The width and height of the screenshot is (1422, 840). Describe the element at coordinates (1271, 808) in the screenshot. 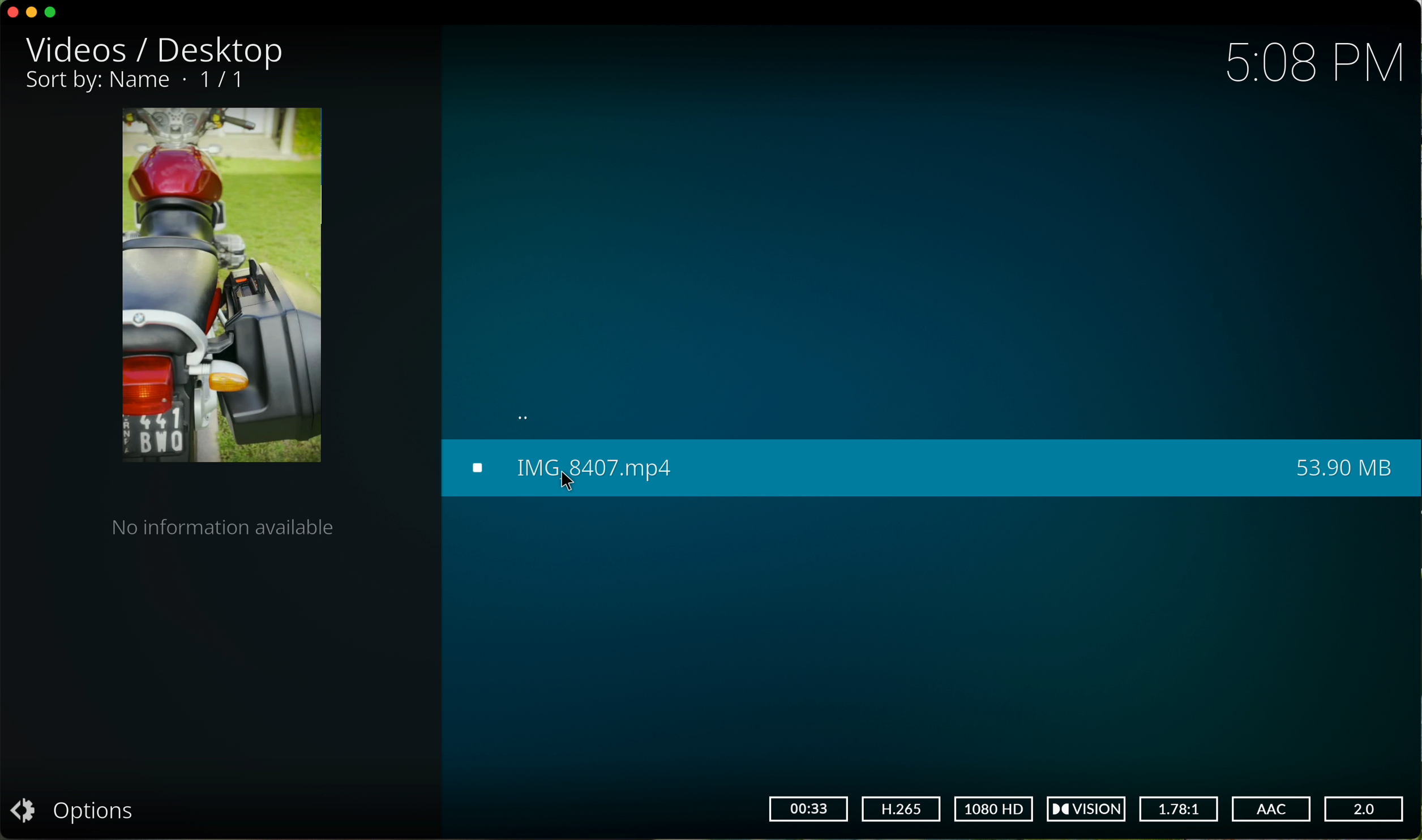

I see `AAC` at that location.